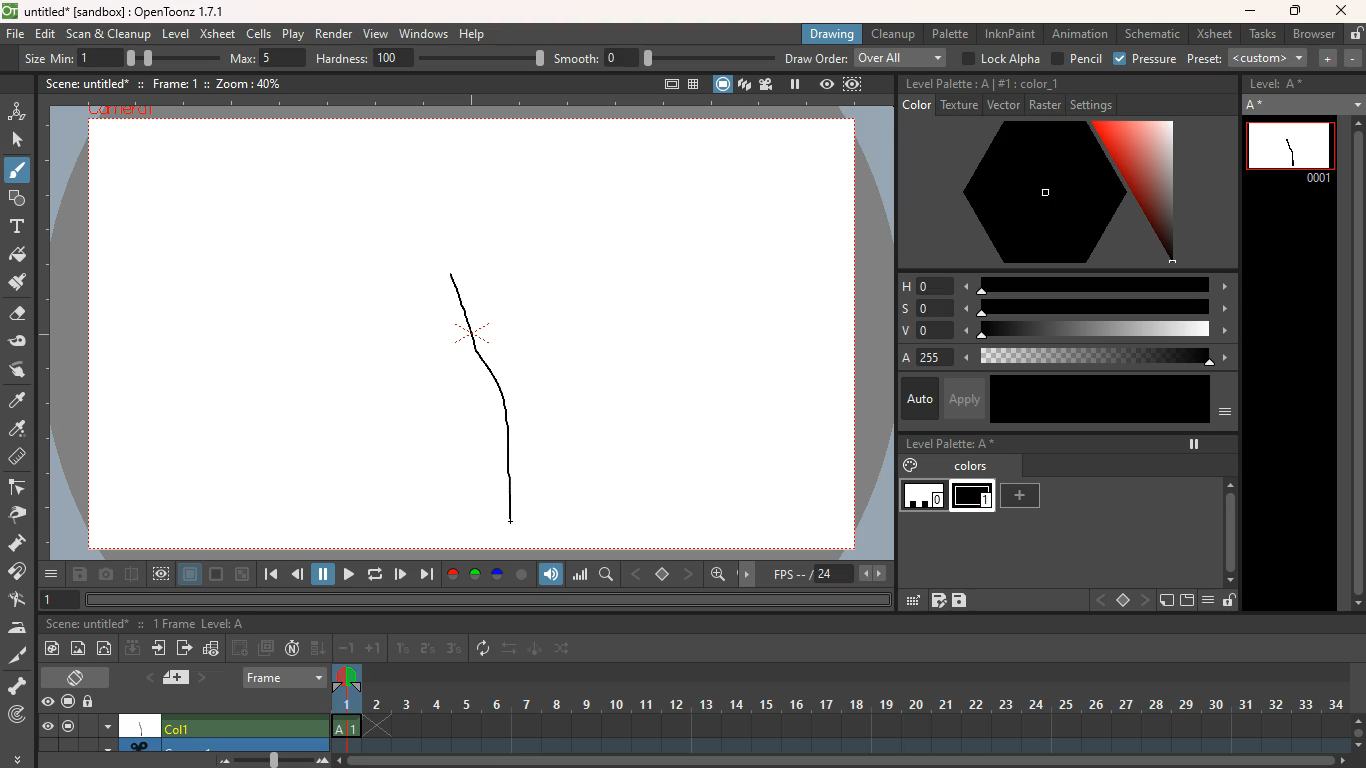 Image resolution: width=1366 pixels, height=768 pixels. What do you see at coordinates (48, 727) in the screenshot?
I see `eye` at bounding box center [48, 727].